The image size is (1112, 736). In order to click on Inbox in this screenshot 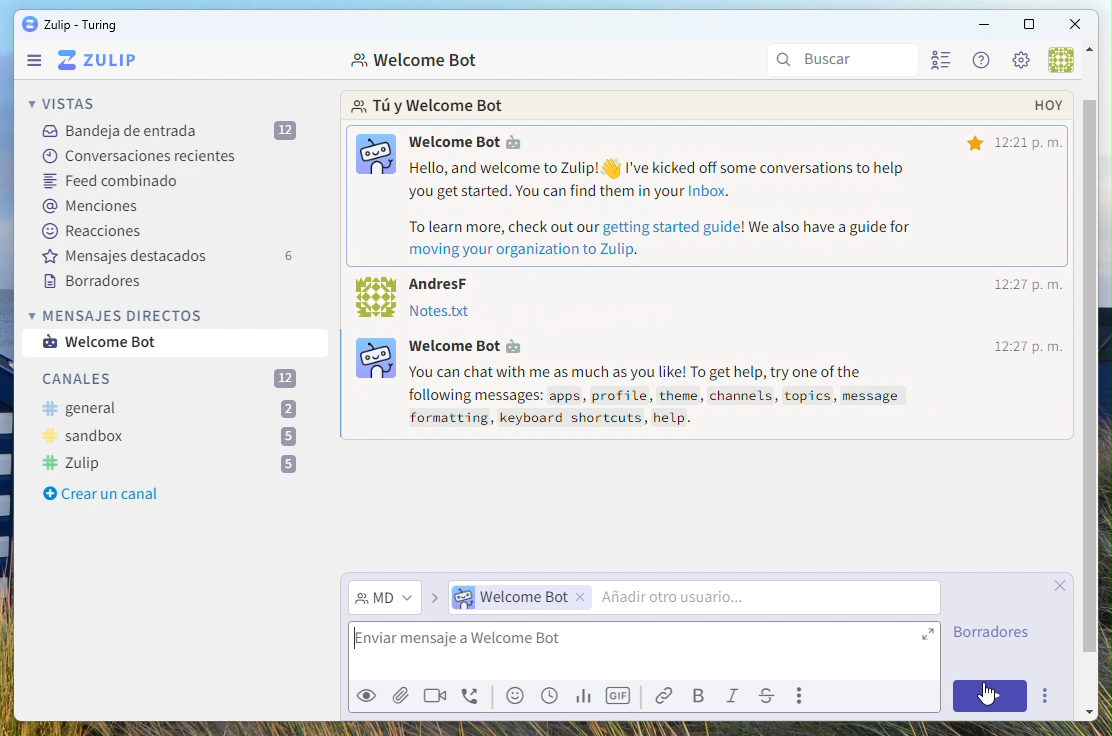, I will do `click(168, 131)`.